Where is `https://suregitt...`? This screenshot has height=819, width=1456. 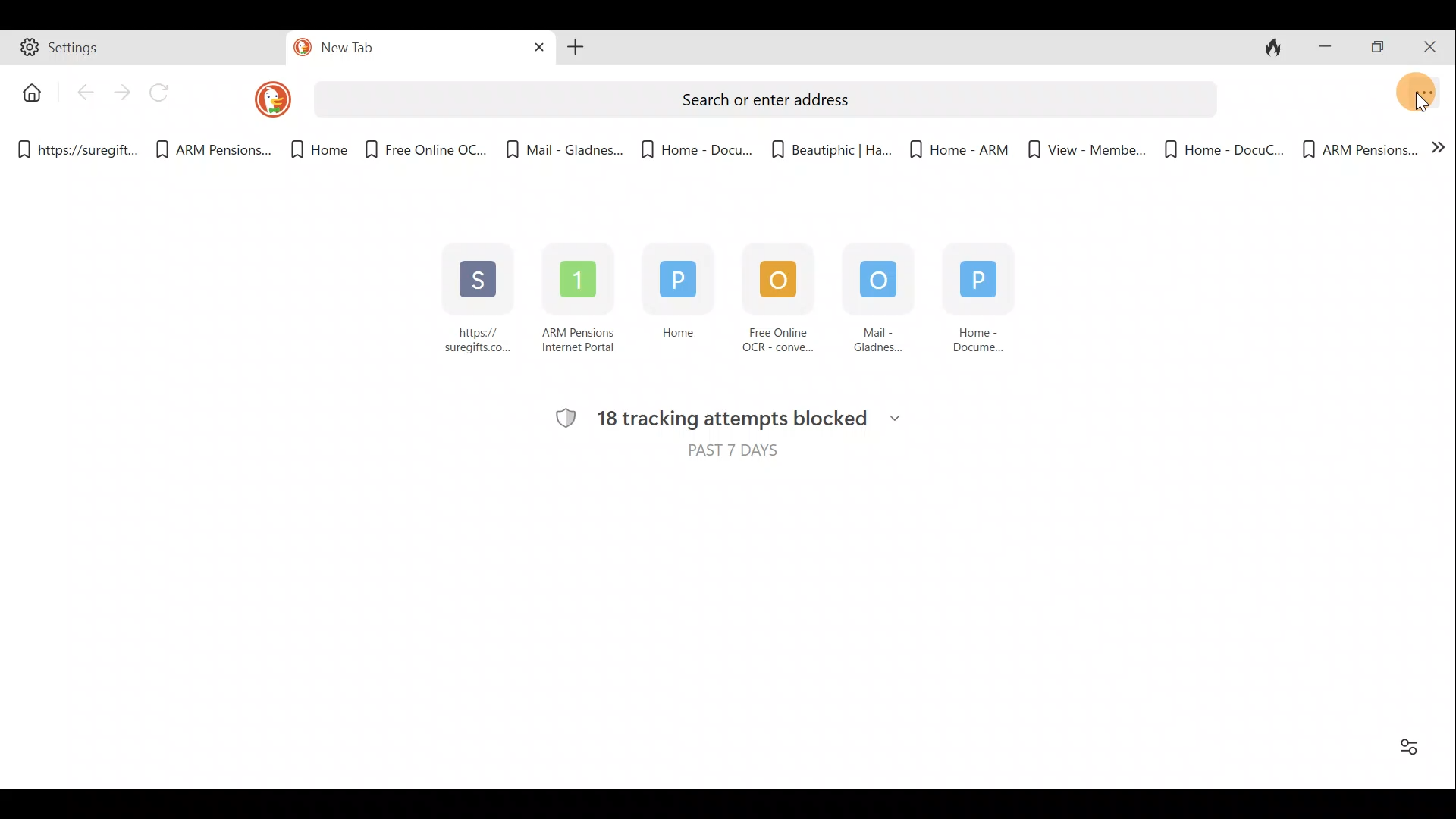
https://suregitt... is located at coordinates (80, 147).